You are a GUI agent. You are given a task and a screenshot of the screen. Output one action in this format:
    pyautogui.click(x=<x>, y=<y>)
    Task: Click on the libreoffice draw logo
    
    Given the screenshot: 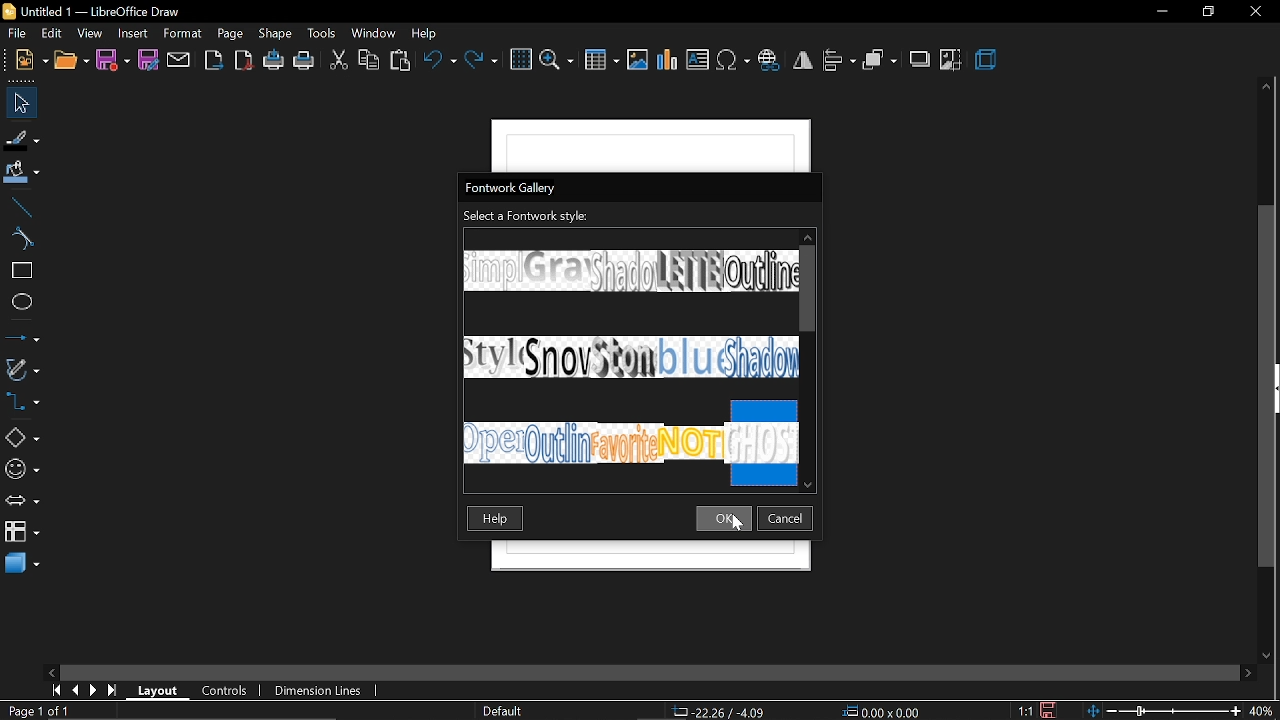 What is the action you would take?
    pyautogui.click(x=9, y=10)
    